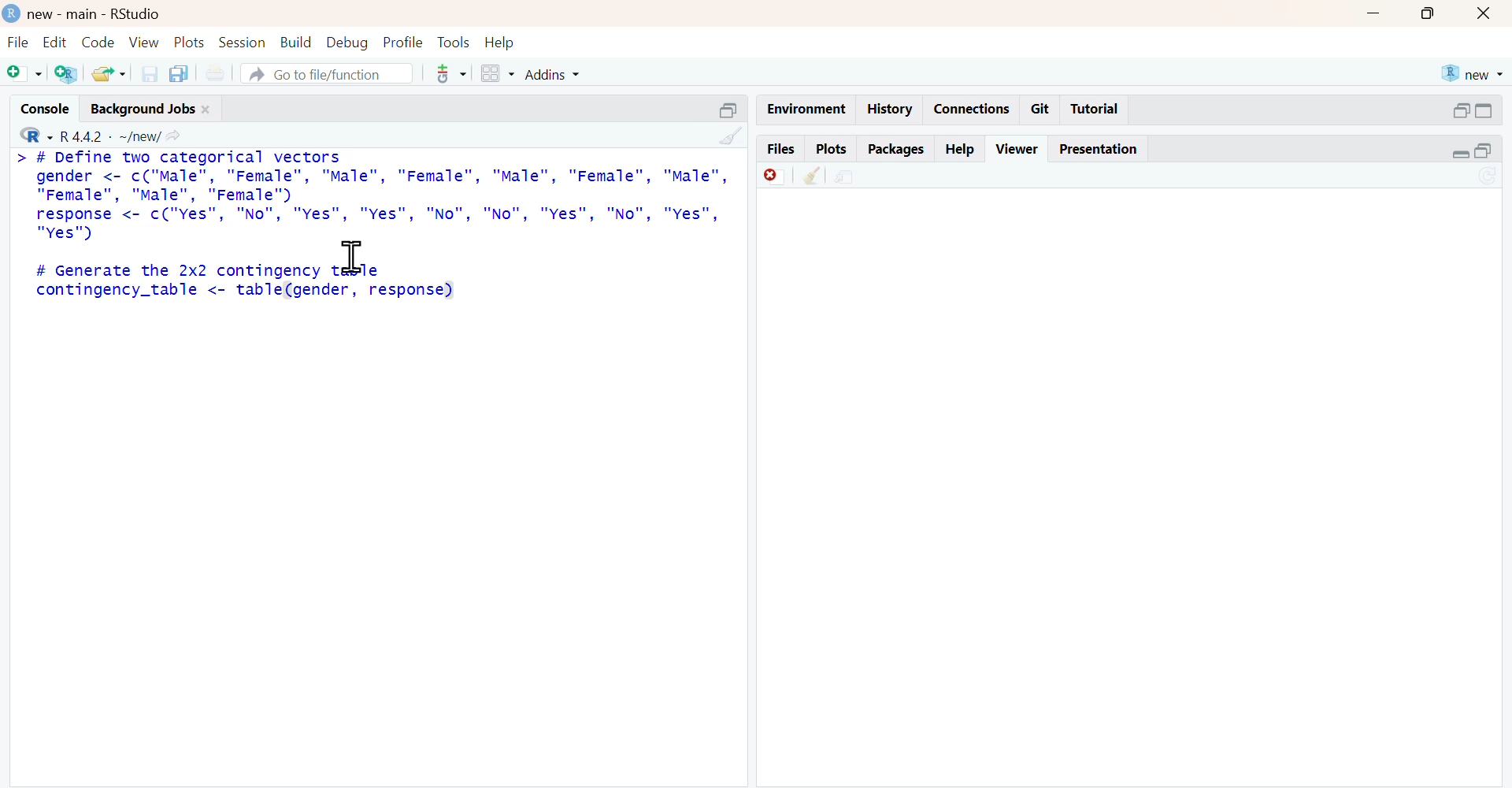 This screenshot has height=788, width=1512. I want to click on Sync, so click(1488, 175).